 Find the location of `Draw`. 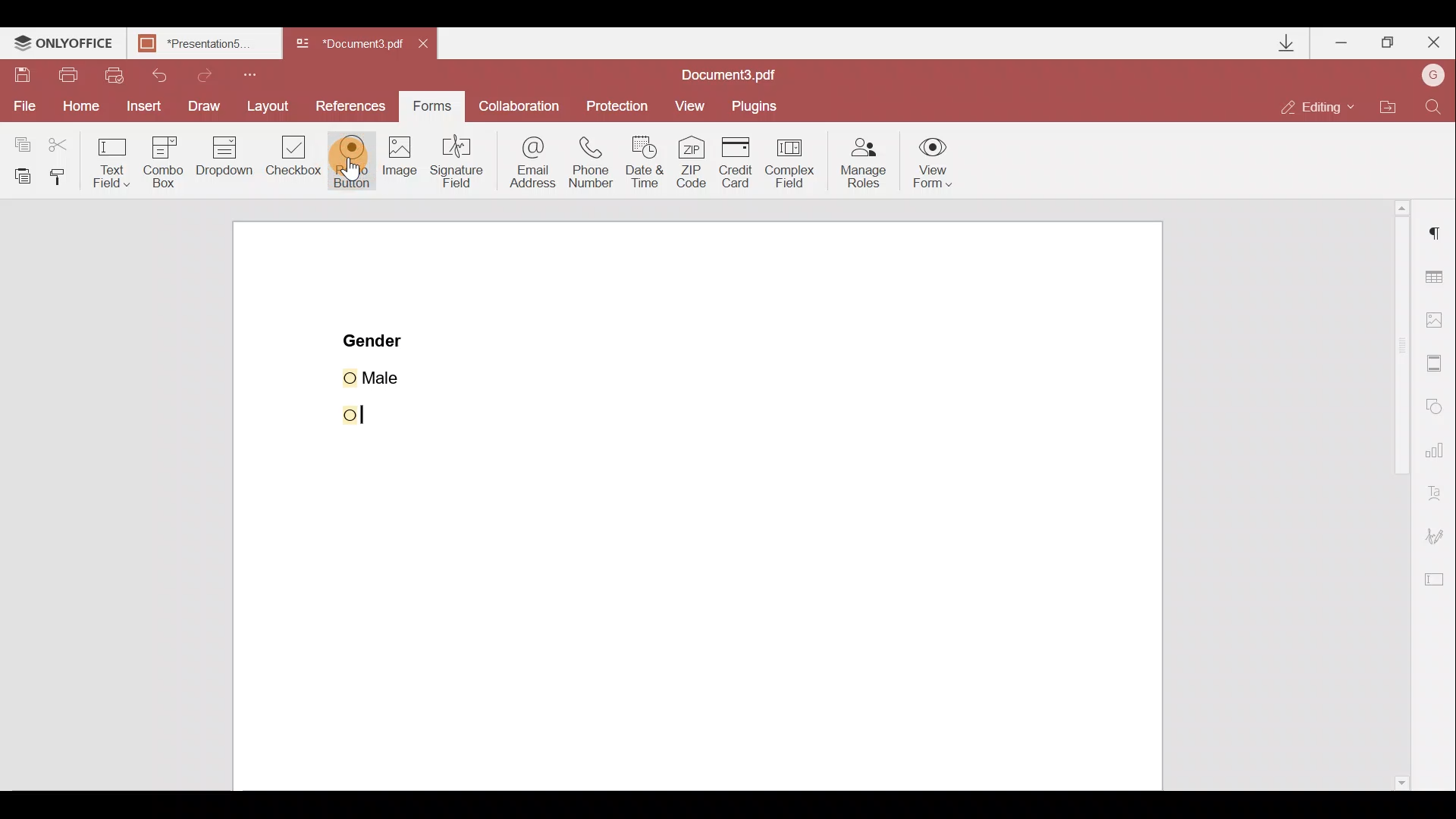

Draw is located at coordinates (204, 105).